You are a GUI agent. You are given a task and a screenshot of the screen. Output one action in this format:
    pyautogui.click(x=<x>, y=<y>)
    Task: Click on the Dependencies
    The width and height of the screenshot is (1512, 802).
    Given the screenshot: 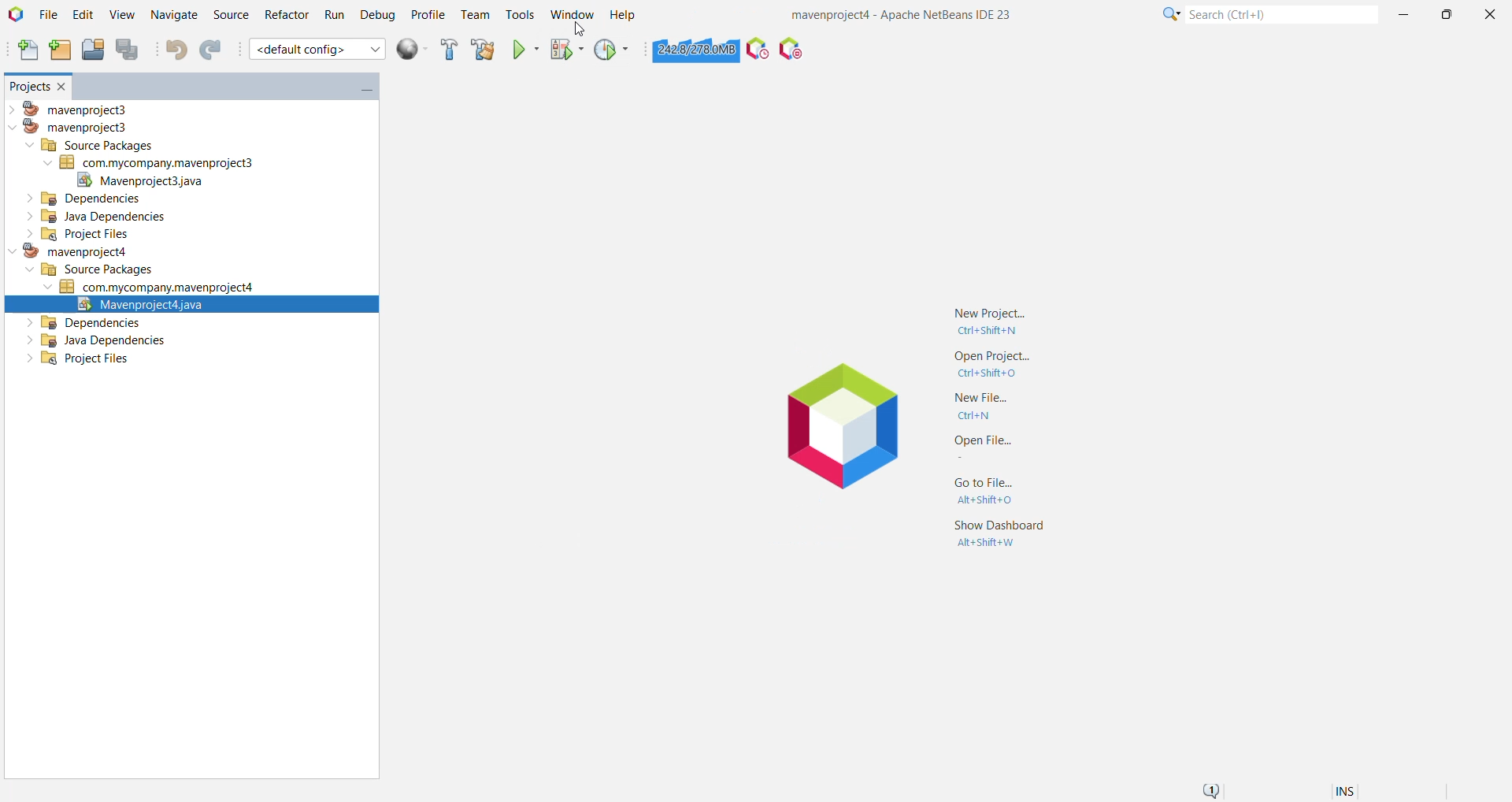 What is the action you would take?
    pyautogui.click(x=84, y=199)
    